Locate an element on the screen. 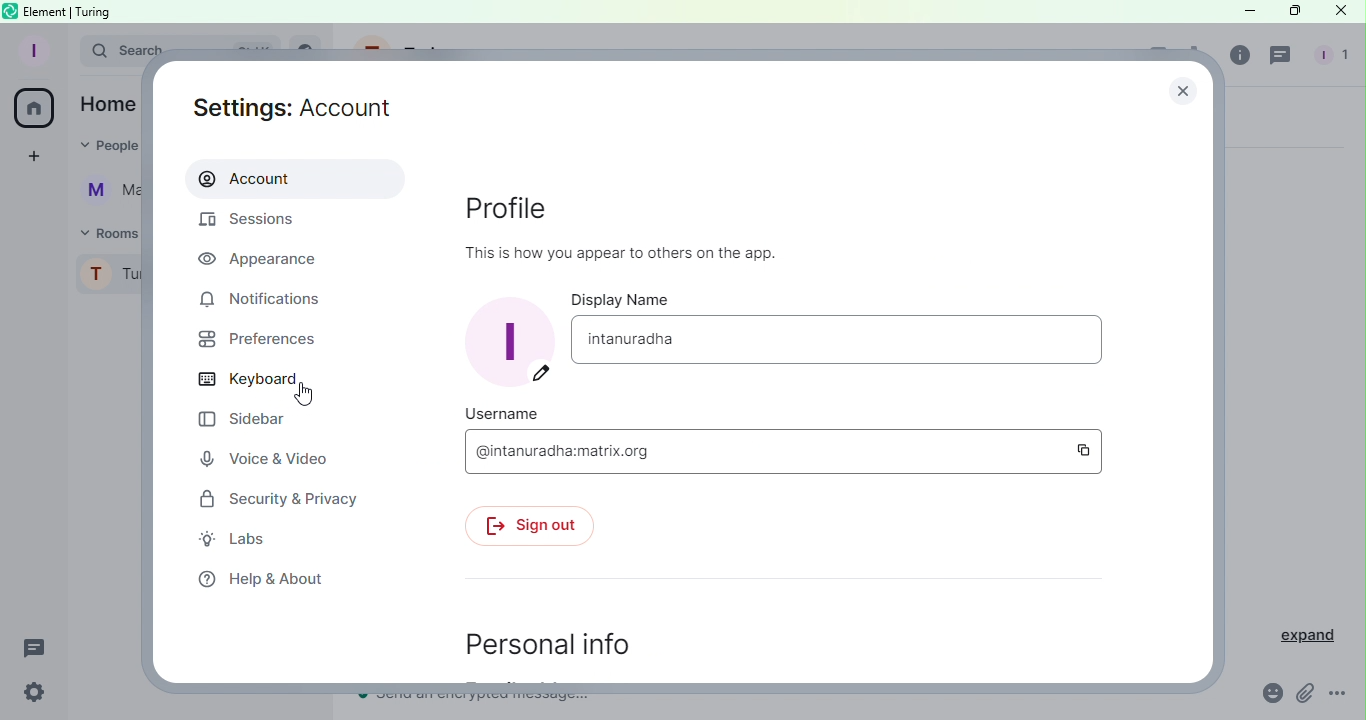 The width and height of the screenshot is (1366, 720). People is located at coordinates (112, 145).